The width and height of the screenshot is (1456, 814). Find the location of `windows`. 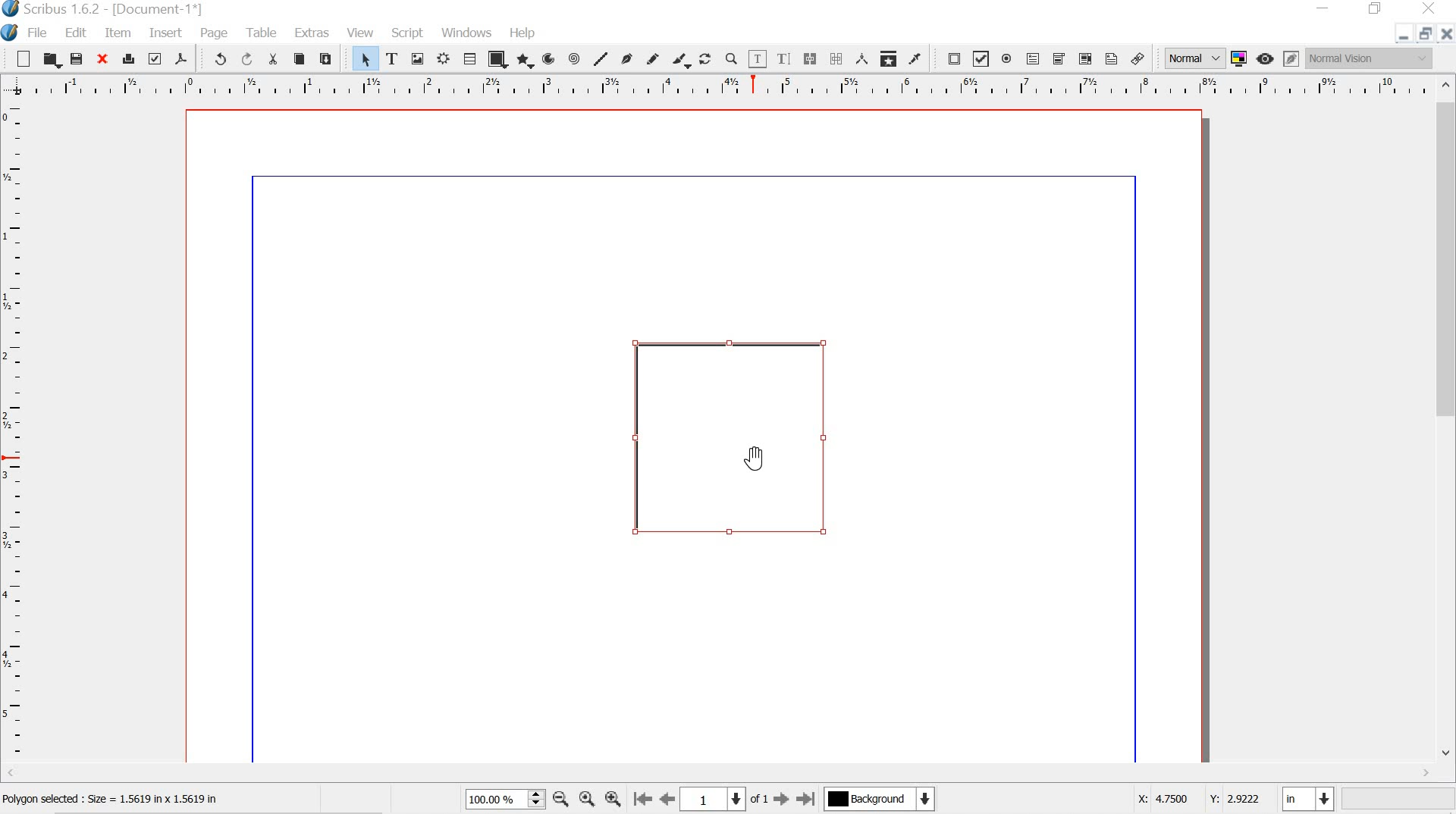

windows is located at coordinates (468, 33).